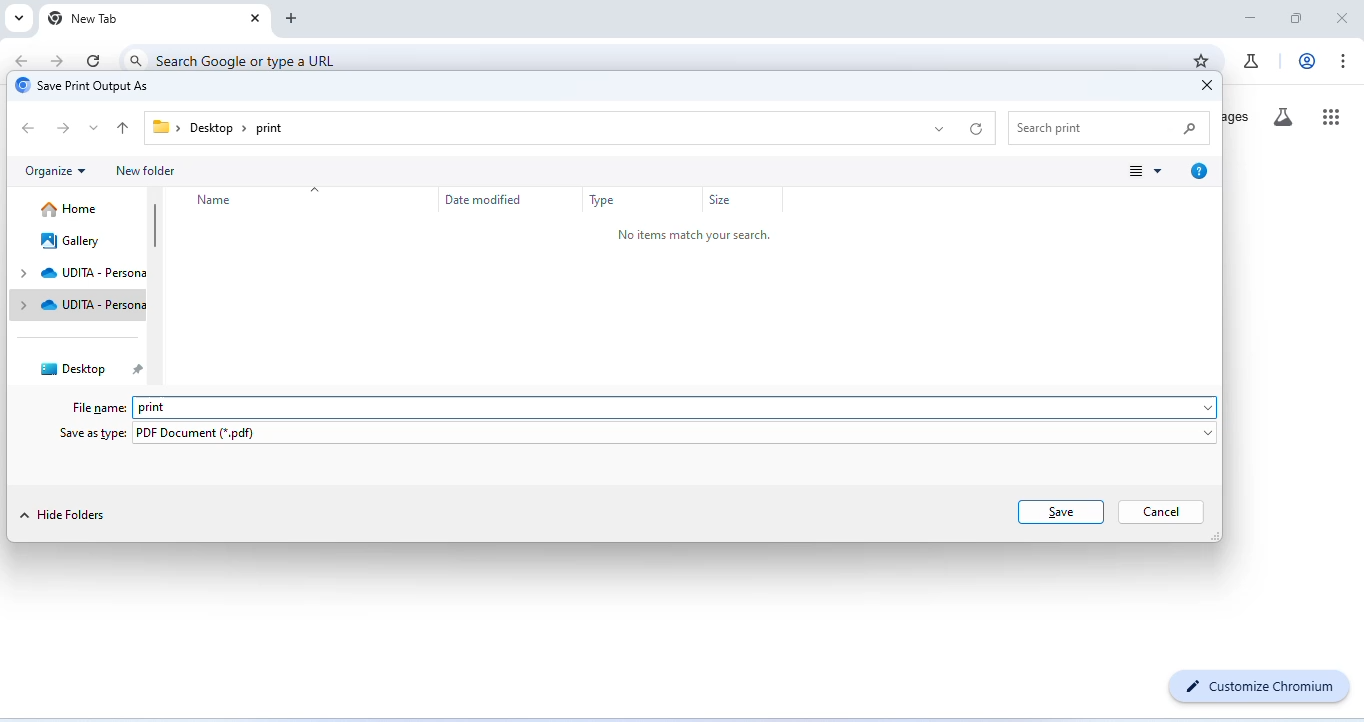 This screenshot has width=1364, height=722. Describe the element at coordinates (1304, 61) in the screenshot. I see `account` at that location.